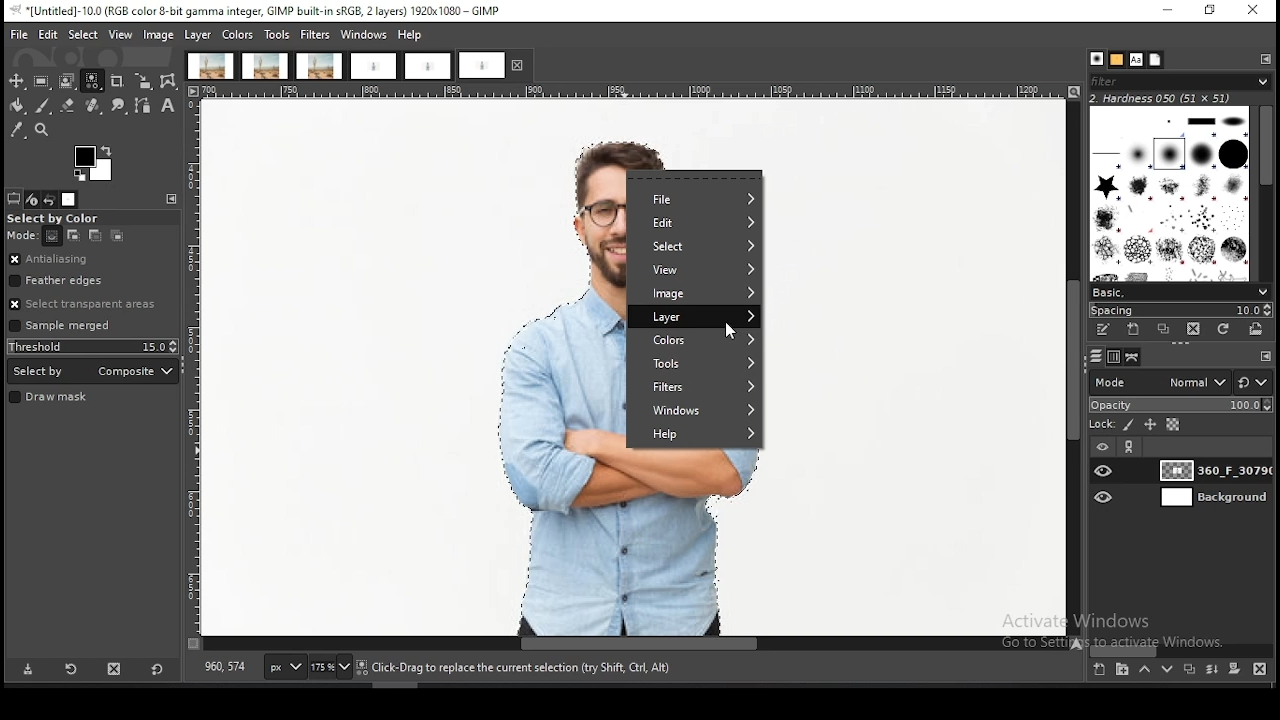 The image size is (1280, 720). I want to click on paintbrush tool, so click(43, 106).